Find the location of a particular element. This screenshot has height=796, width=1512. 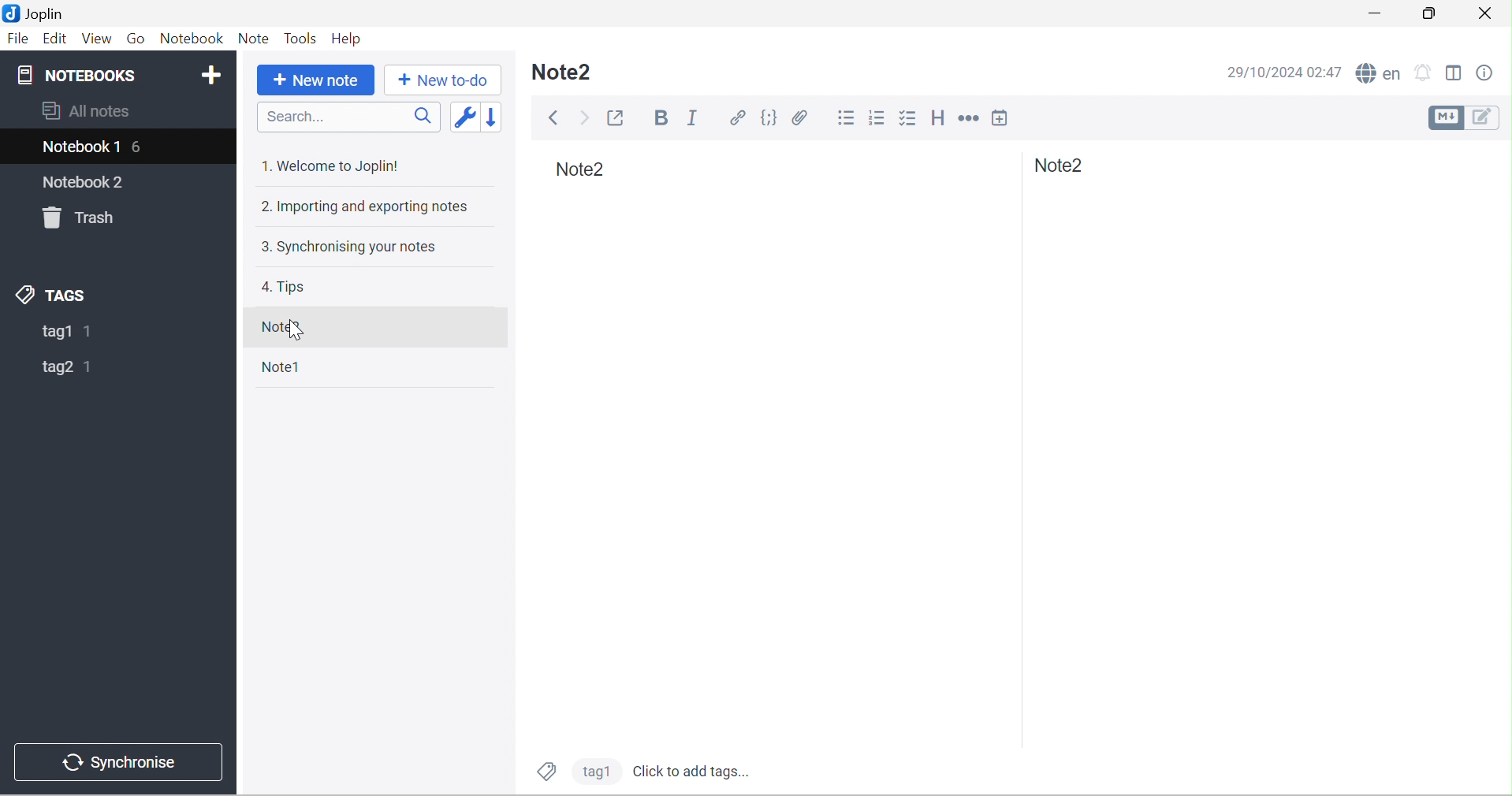

Toggle editors is located at coordinates (1467, 118).